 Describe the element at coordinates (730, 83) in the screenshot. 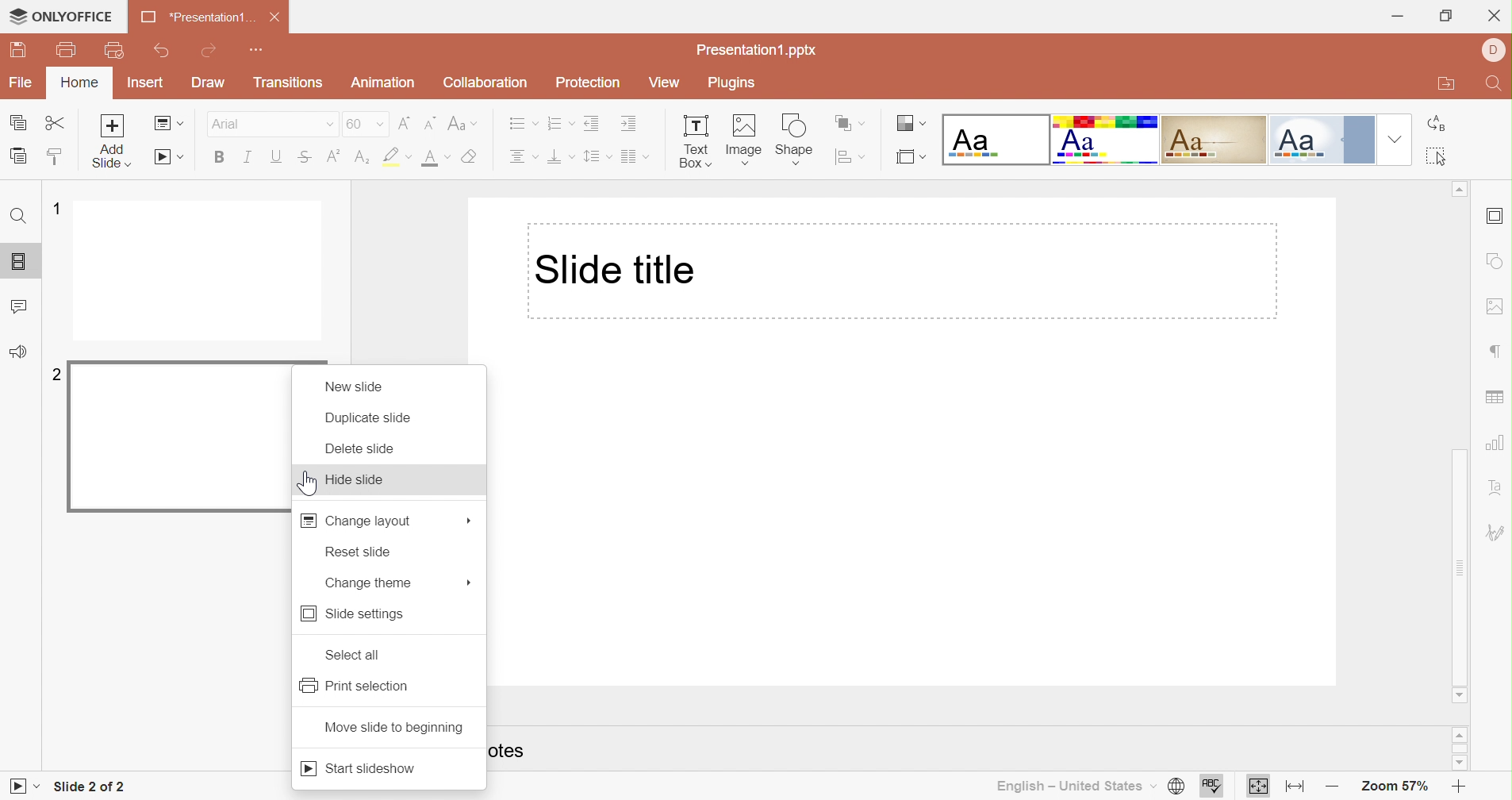

I see `Plugins` at that location.